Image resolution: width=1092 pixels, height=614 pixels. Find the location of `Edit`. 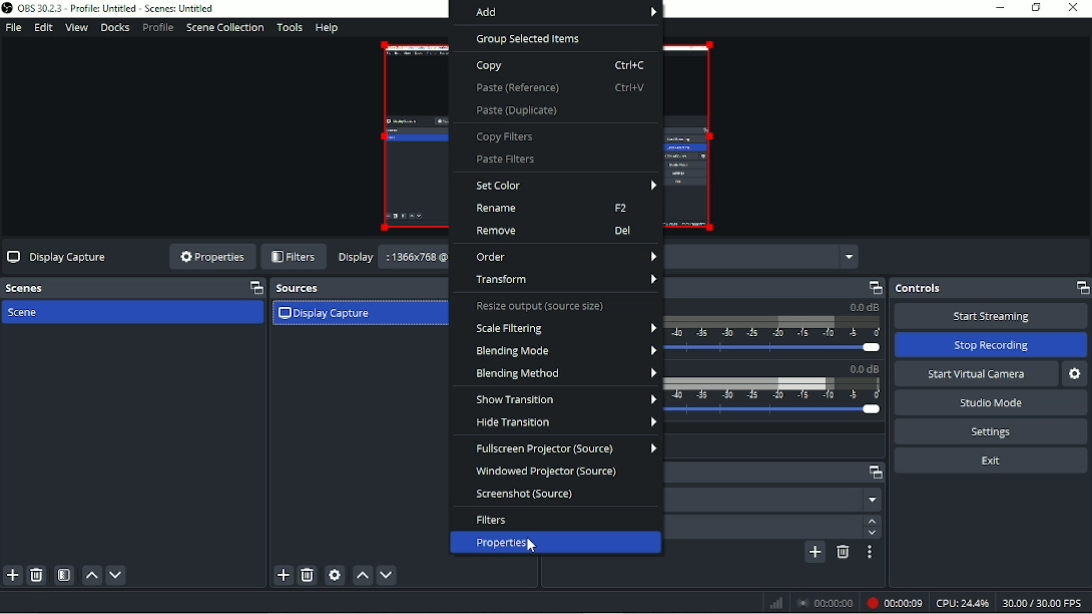

Edit is located at coordinates (44, 27).